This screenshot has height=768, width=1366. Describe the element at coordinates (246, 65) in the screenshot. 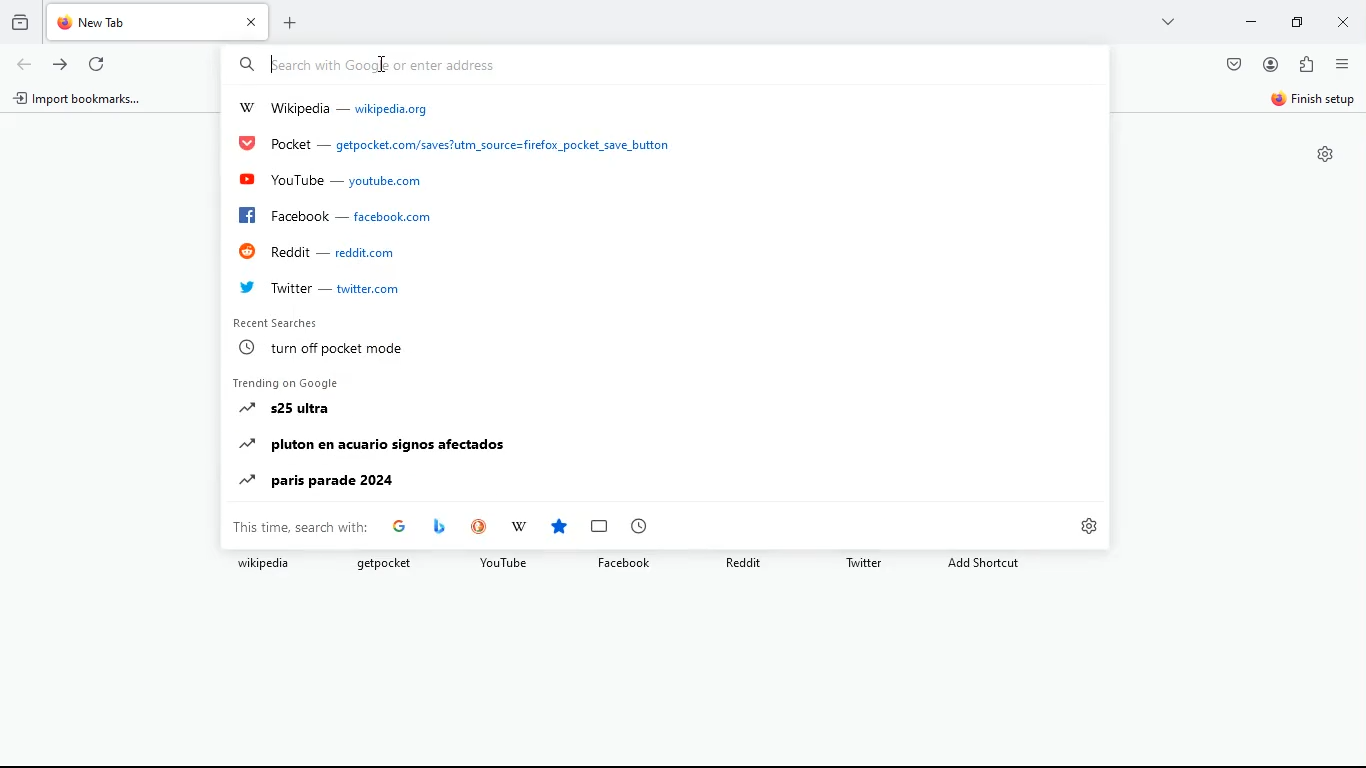

I see `Search` at that location.